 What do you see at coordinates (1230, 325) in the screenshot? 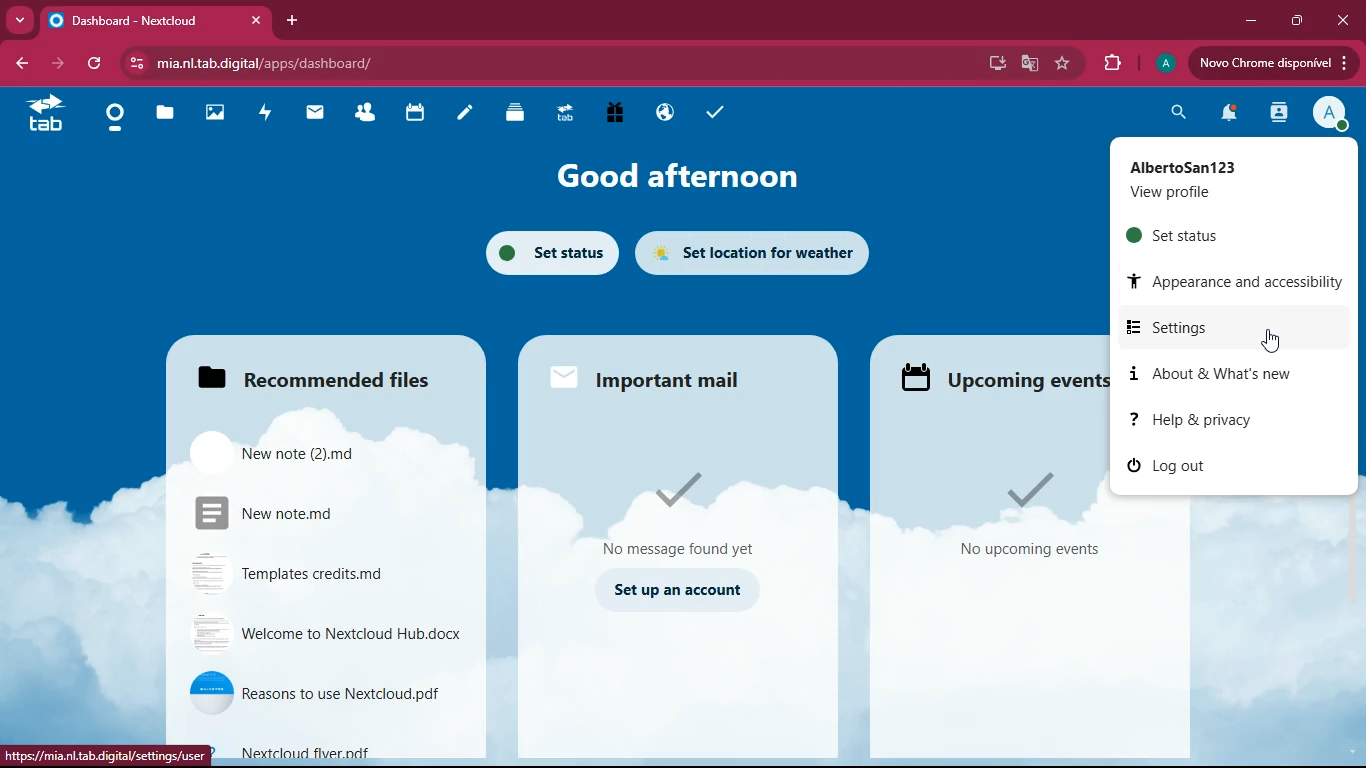
I see `settings` at bounding box center [1230, 325].